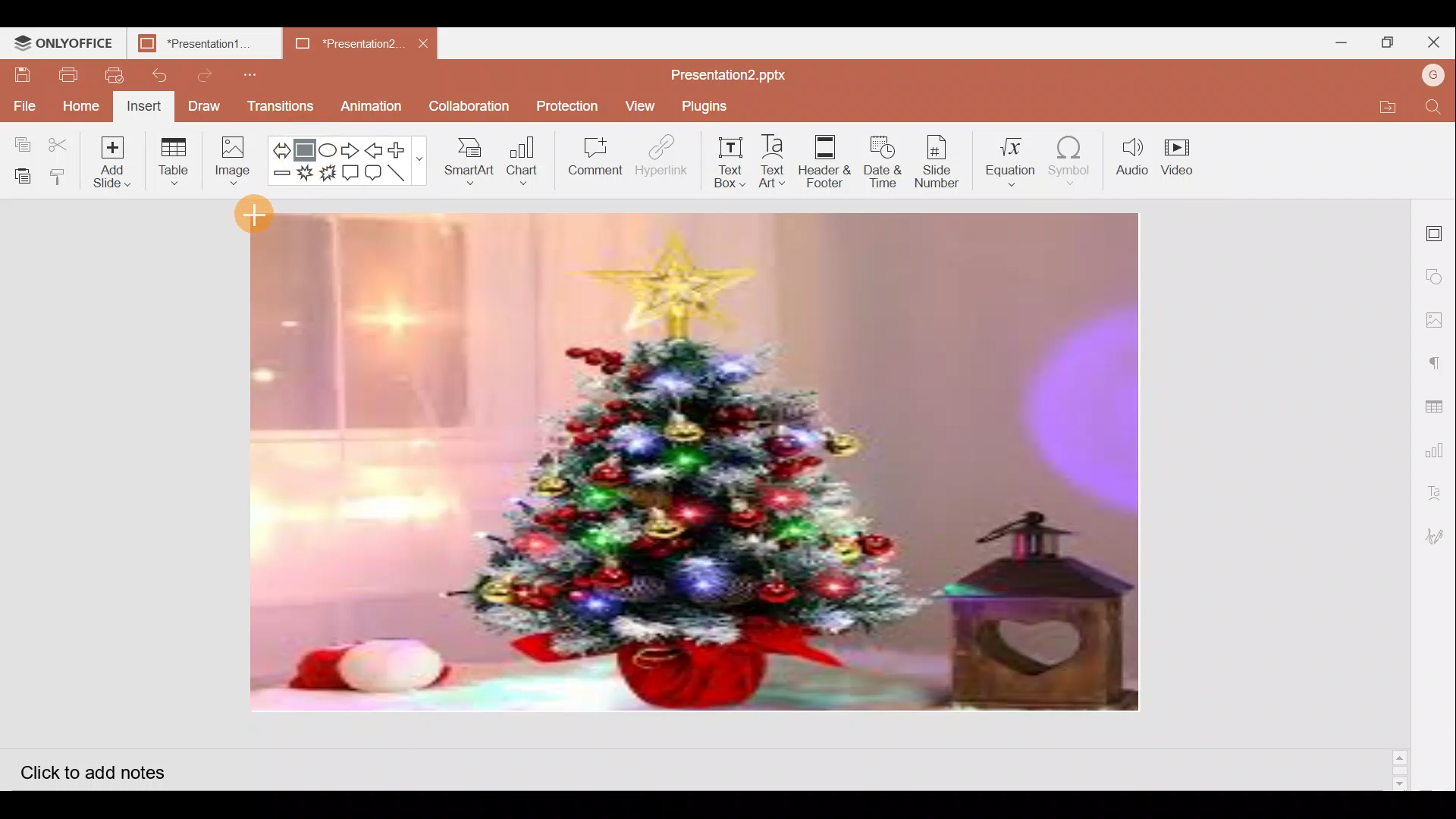 The height and width of the screenshot is (819, 1456). Describe the element at coordinates (1439, 320) in the screenshot. I see `Image settings` at that location.